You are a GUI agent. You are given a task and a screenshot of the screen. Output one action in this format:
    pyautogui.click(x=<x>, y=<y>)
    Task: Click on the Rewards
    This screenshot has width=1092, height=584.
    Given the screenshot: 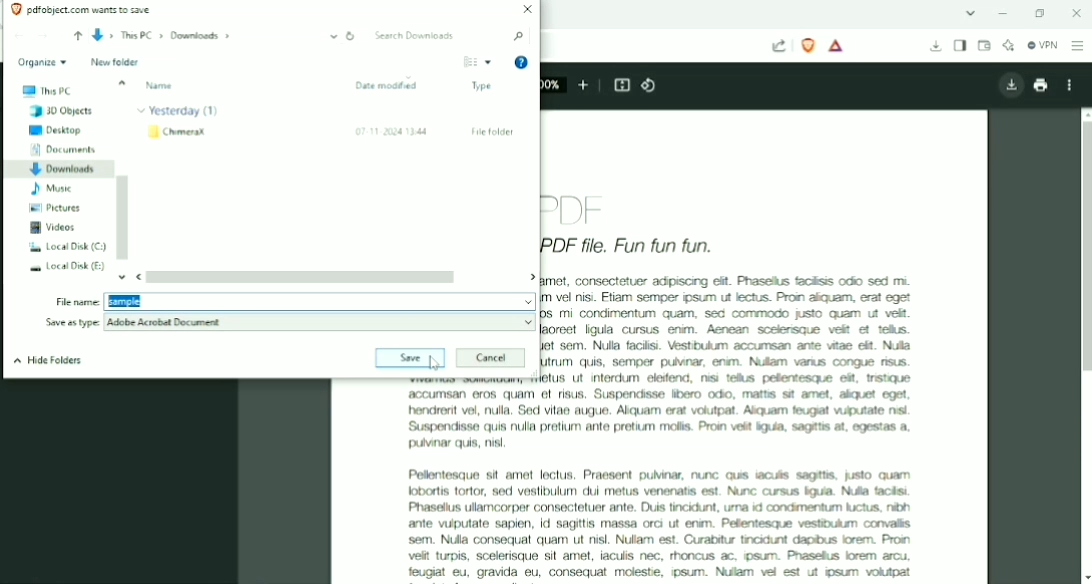 What is the action you would take?
    pyautogui.click(x=837, y=46)
    